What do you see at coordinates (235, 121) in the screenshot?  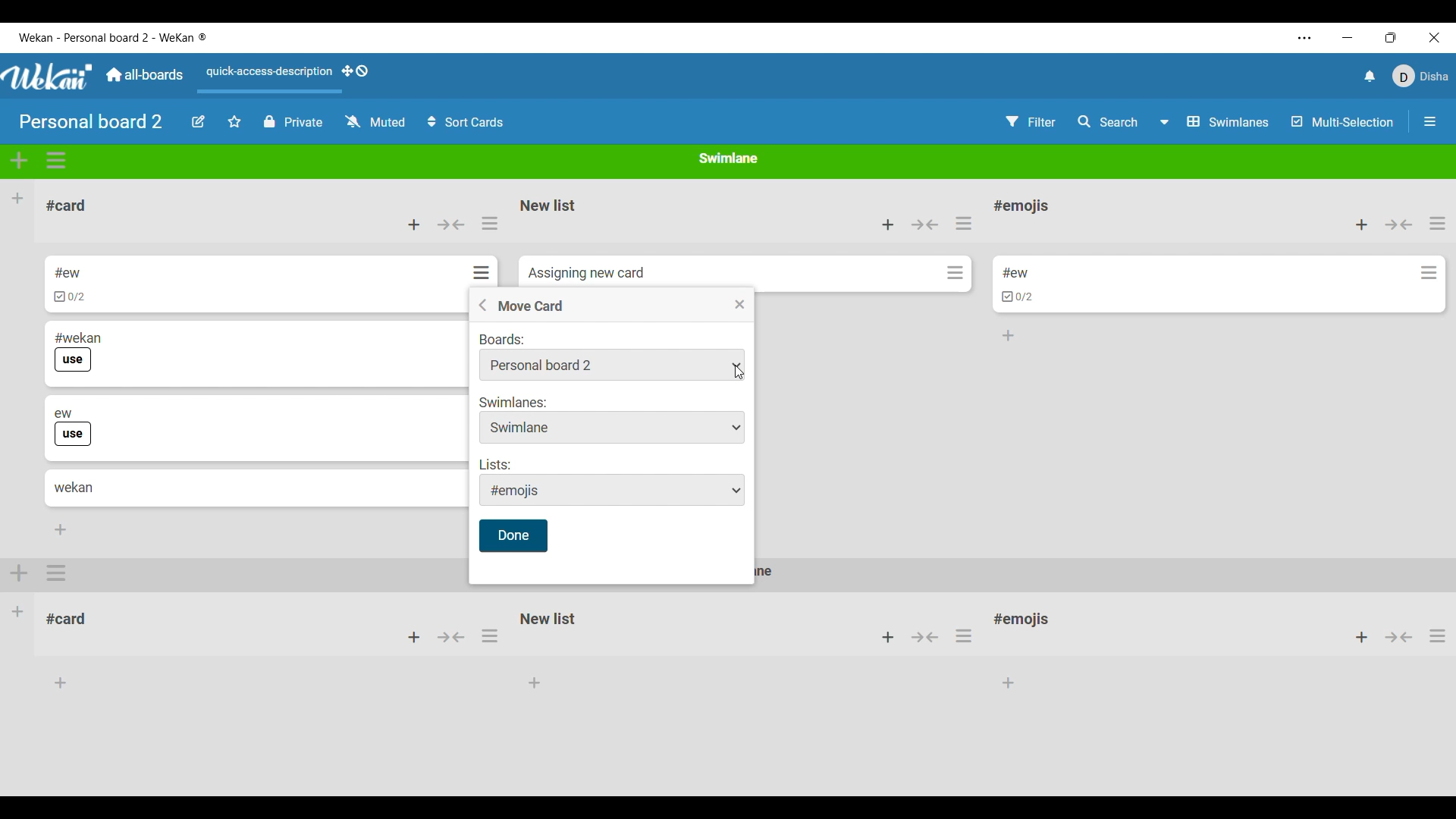 I see `Star board` at bounding box center [235, 121].